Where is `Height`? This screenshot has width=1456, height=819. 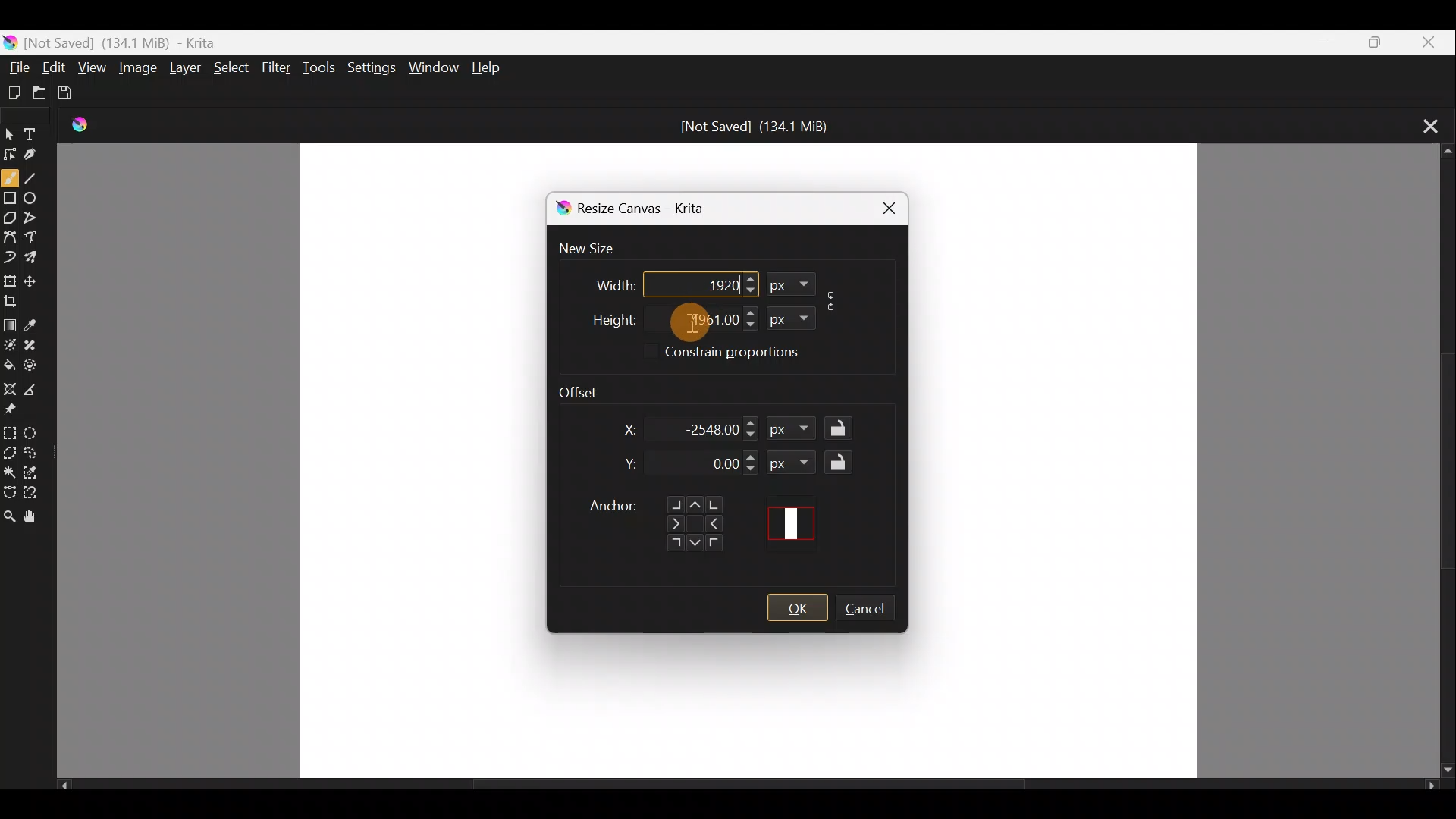 Height is located at coordinates (601, 316).